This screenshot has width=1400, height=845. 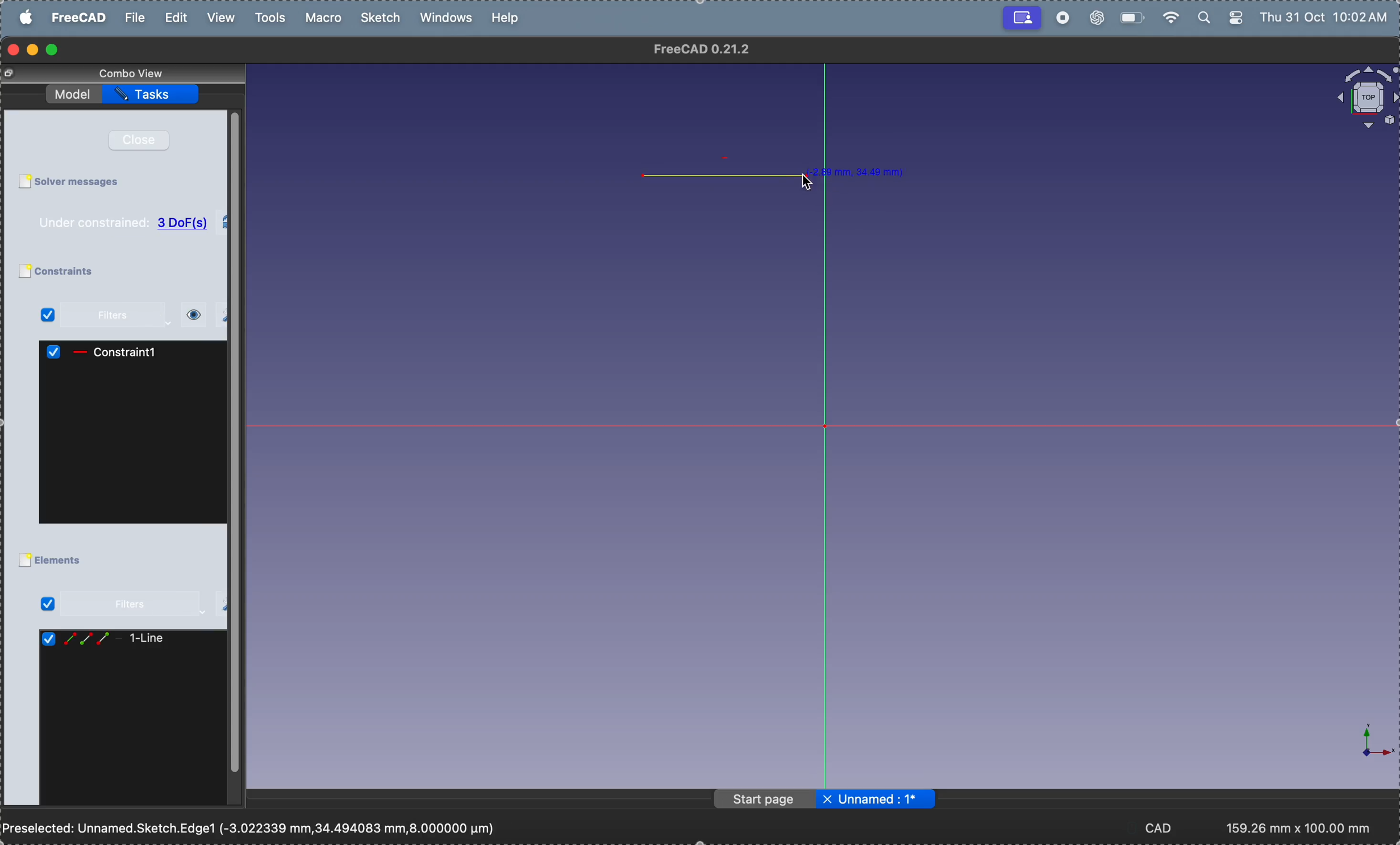 I want to click on CAD, so click(x=1166, y=827).